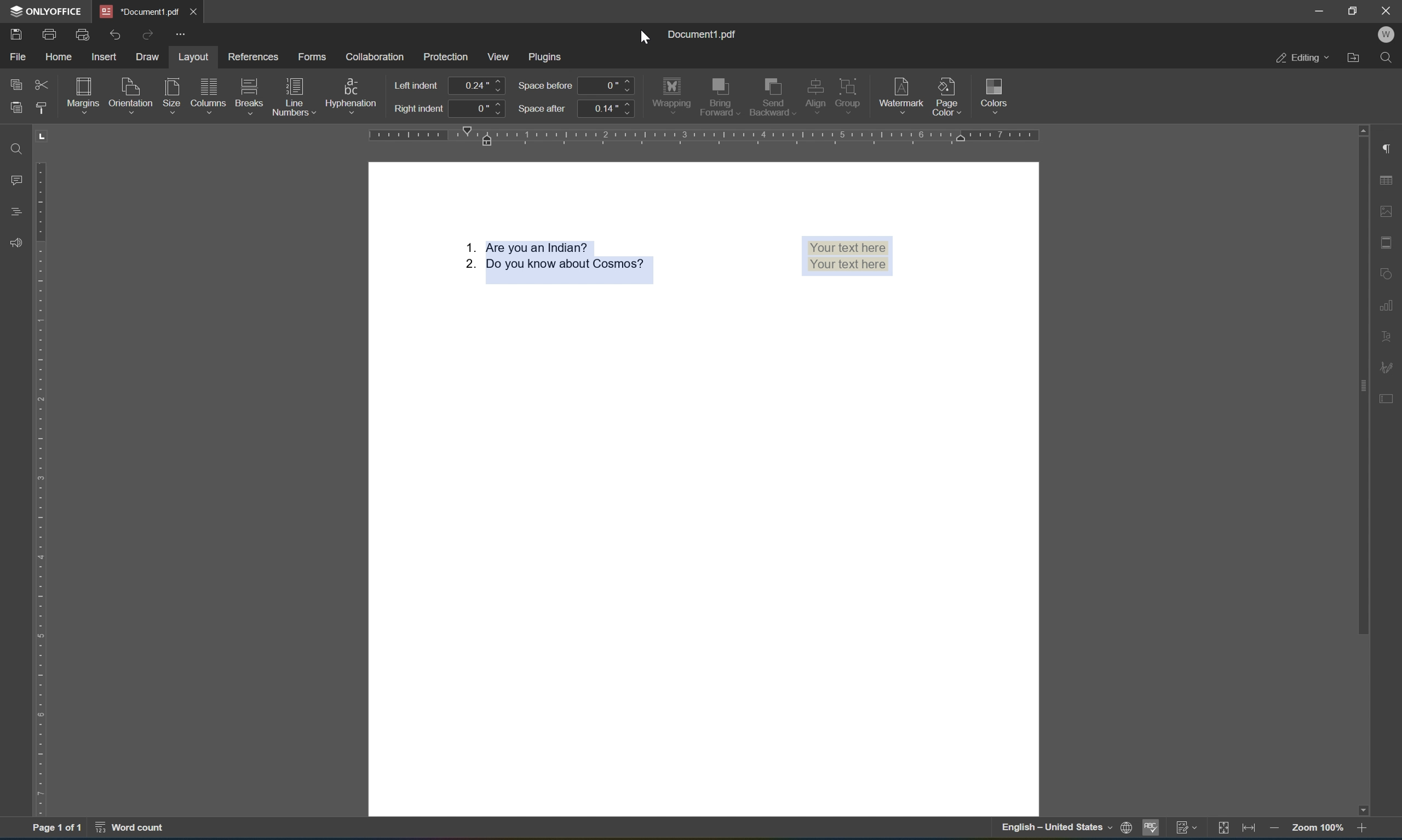 The image size is (1402, 840). Describe the element at coordinates (554, 272) in the screenshot. I see `Do you know about Cosmos?` at that location.